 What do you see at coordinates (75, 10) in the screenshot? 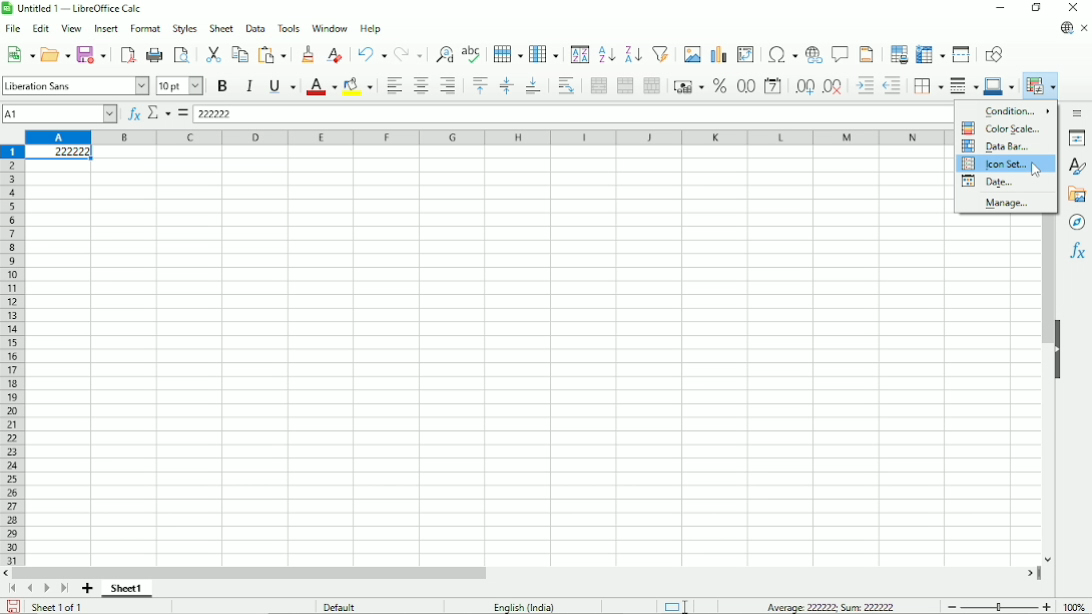
I see `Title` at bounding box center [75, 10].